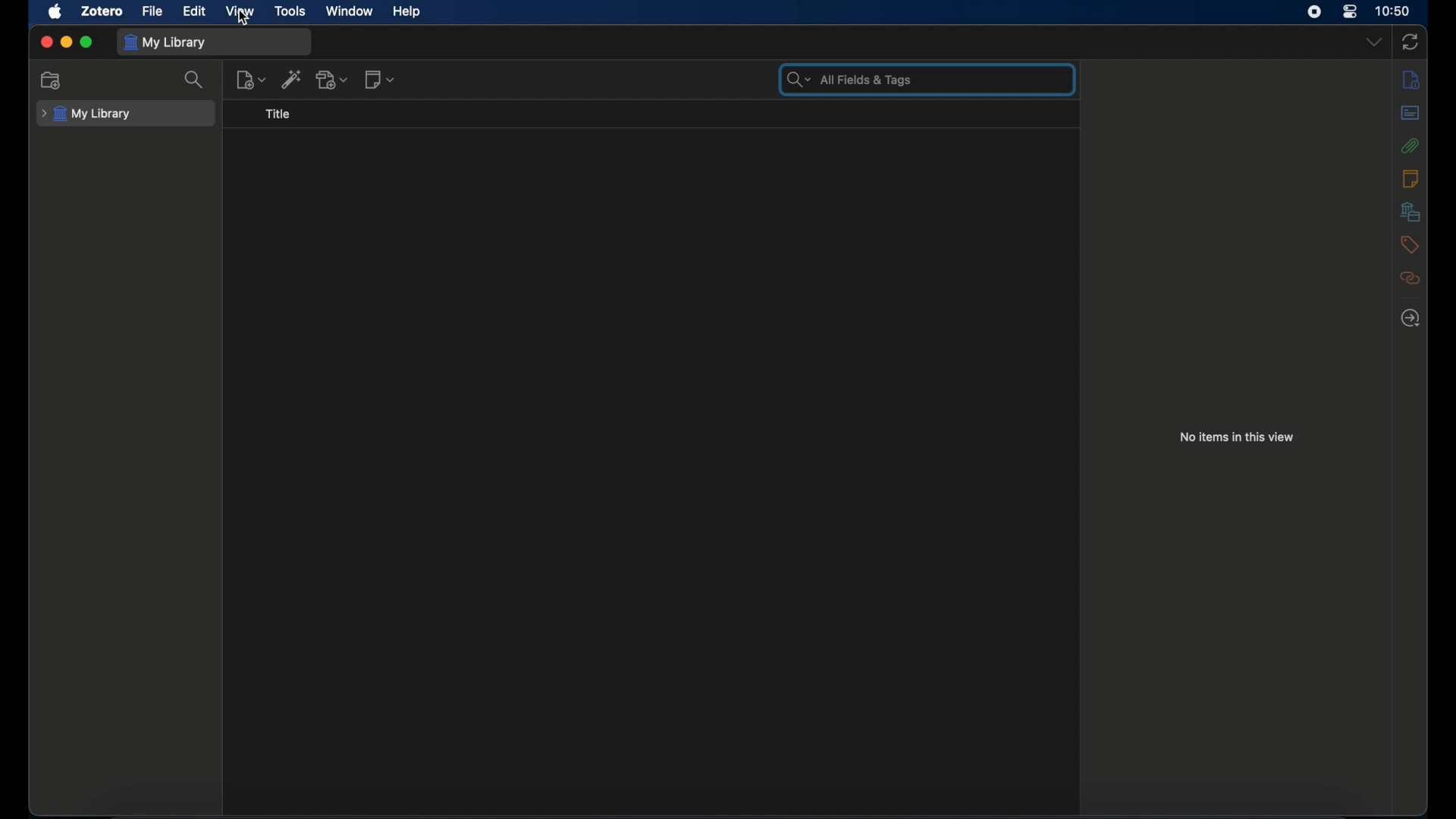 The image size is (1456, 819). I want to click on time, so click(1393, 11).